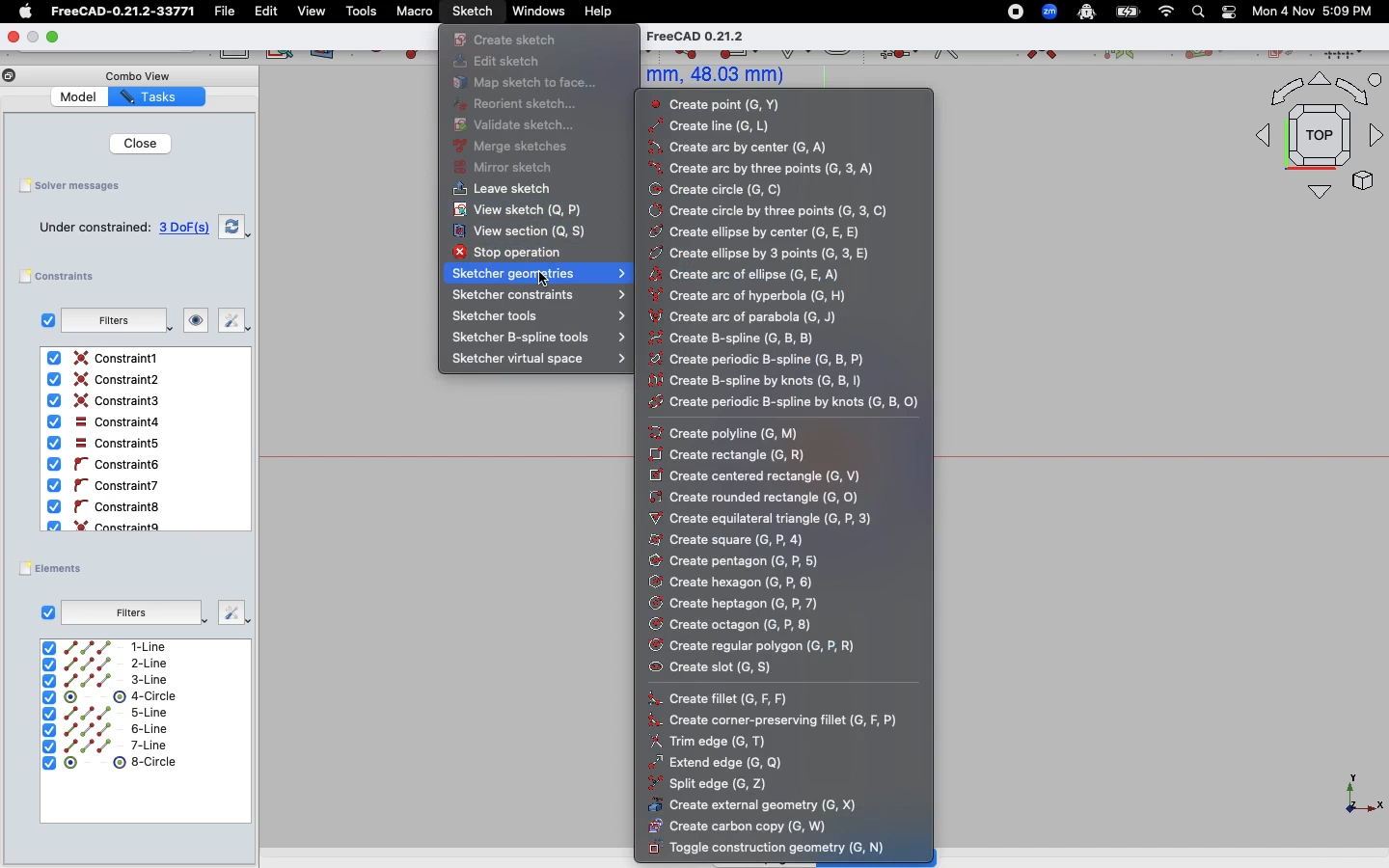 This screenshot has height=868, width=1389. Describe the element at coordinates (111, 697) in the screenshot. I see `4-Circle` at that location.